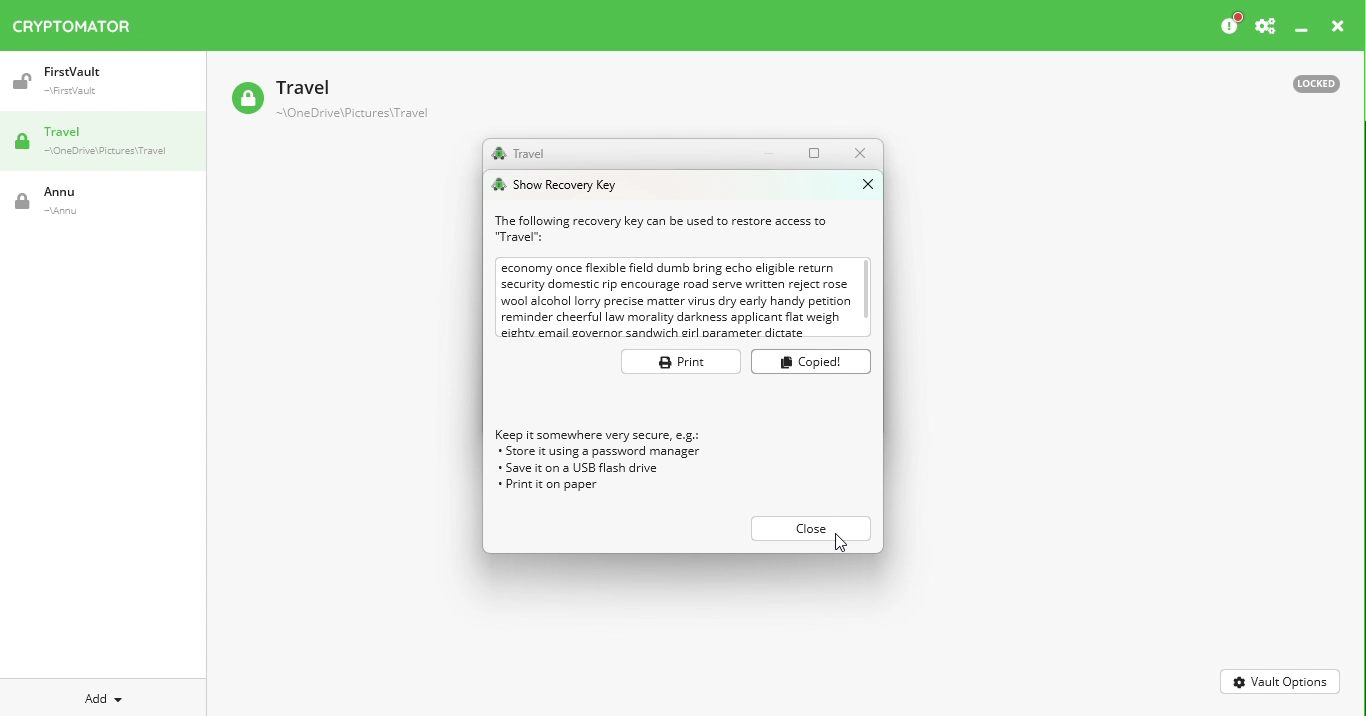 This screenshot has height=716, width=1366. I want to click on Travel, so click(110, 143).